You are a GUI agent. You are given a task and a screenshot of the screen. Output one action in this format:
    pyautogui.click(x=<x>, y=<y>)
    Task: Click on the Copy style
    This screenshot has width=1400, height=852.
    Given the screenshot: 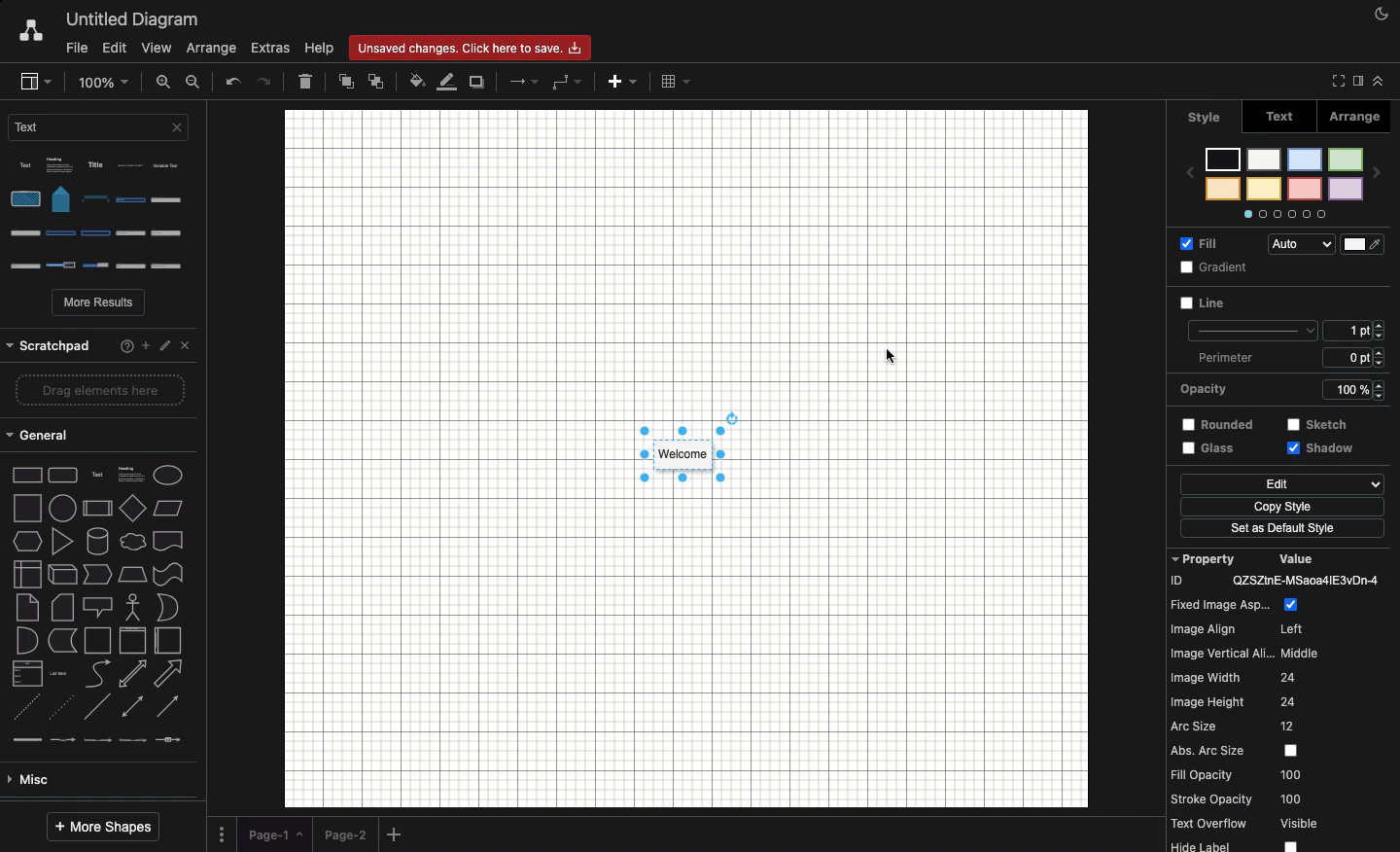 What is the action you would take?
    pyautogui.click(x=1283, y=485)
    